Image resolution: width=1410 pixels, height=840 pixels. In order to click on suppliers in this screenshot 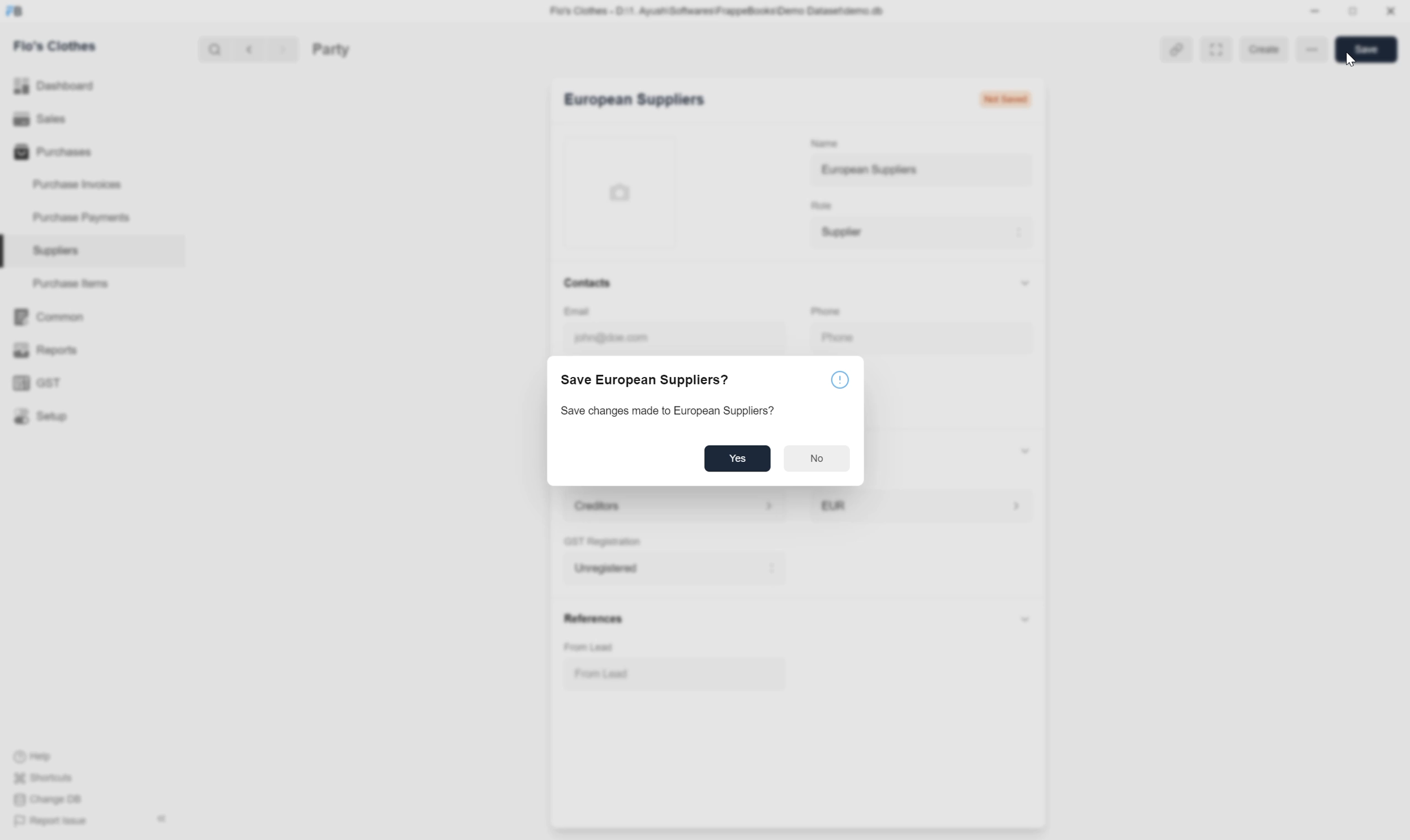, I will do `click(55, 251)`.